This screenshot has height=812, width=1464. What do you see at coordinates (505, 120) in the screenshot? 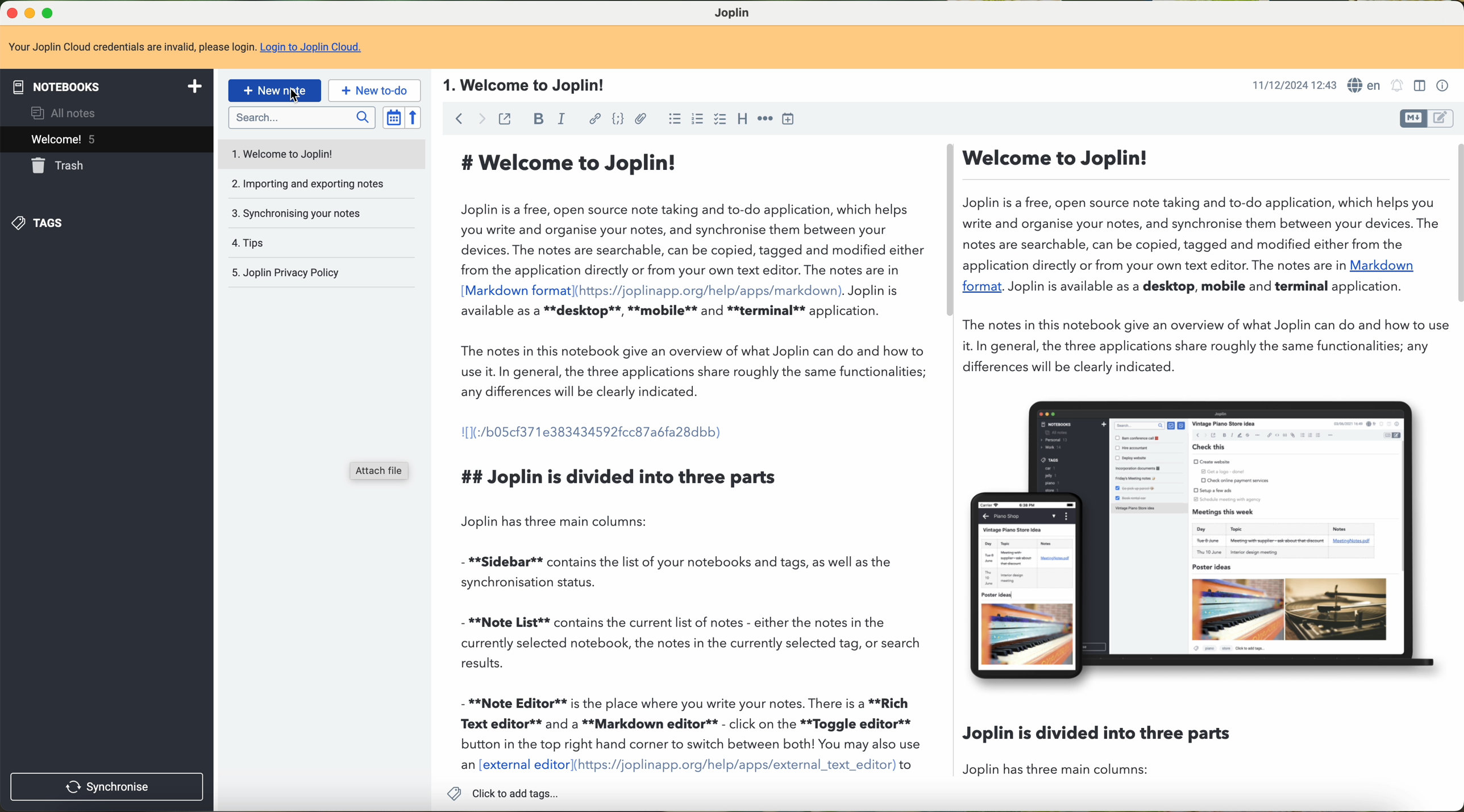
I see `toggle external editing` at bounding box center [505, 120].